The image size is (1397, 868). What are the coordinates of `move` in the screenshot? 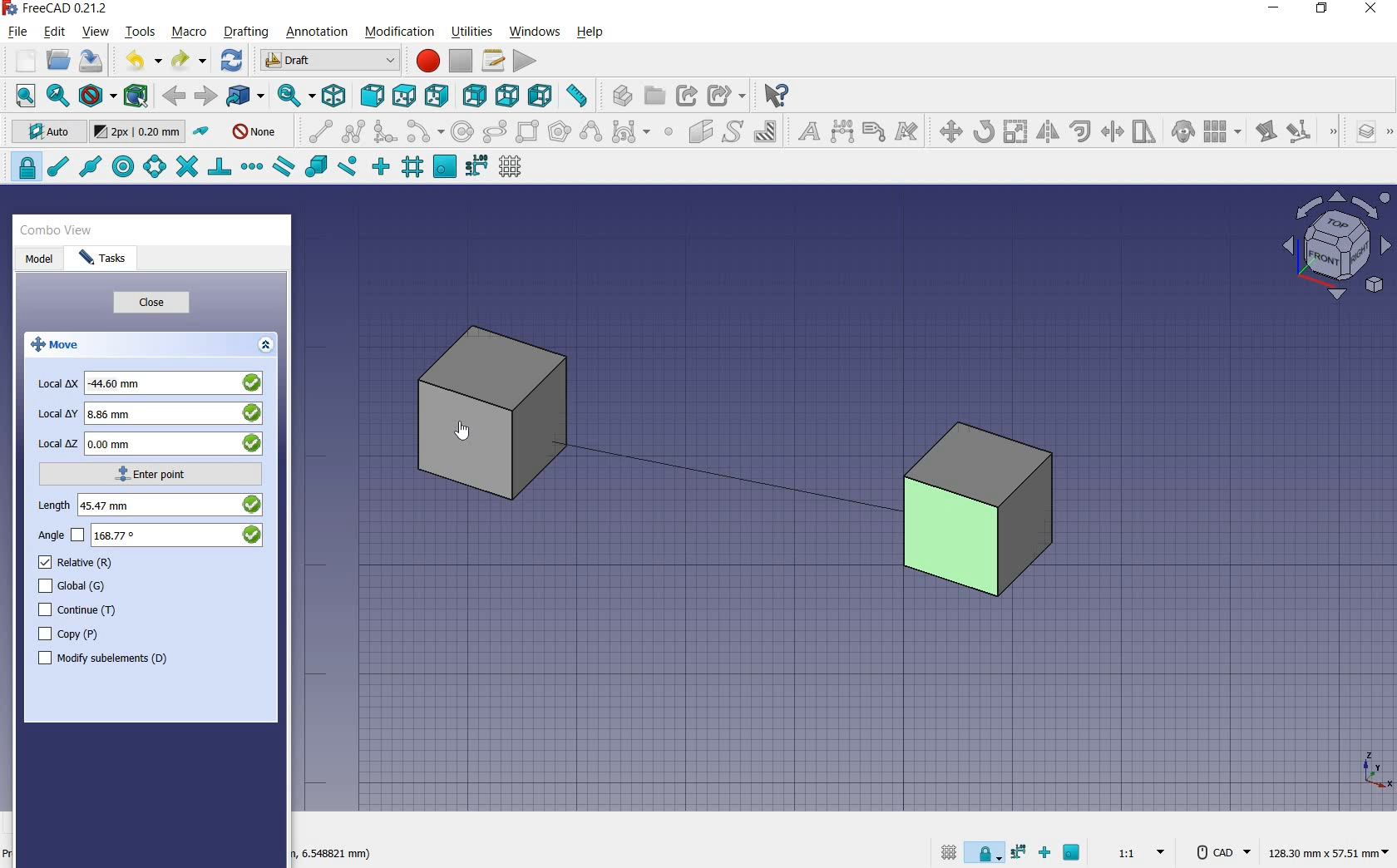 It's located at (947, 131).